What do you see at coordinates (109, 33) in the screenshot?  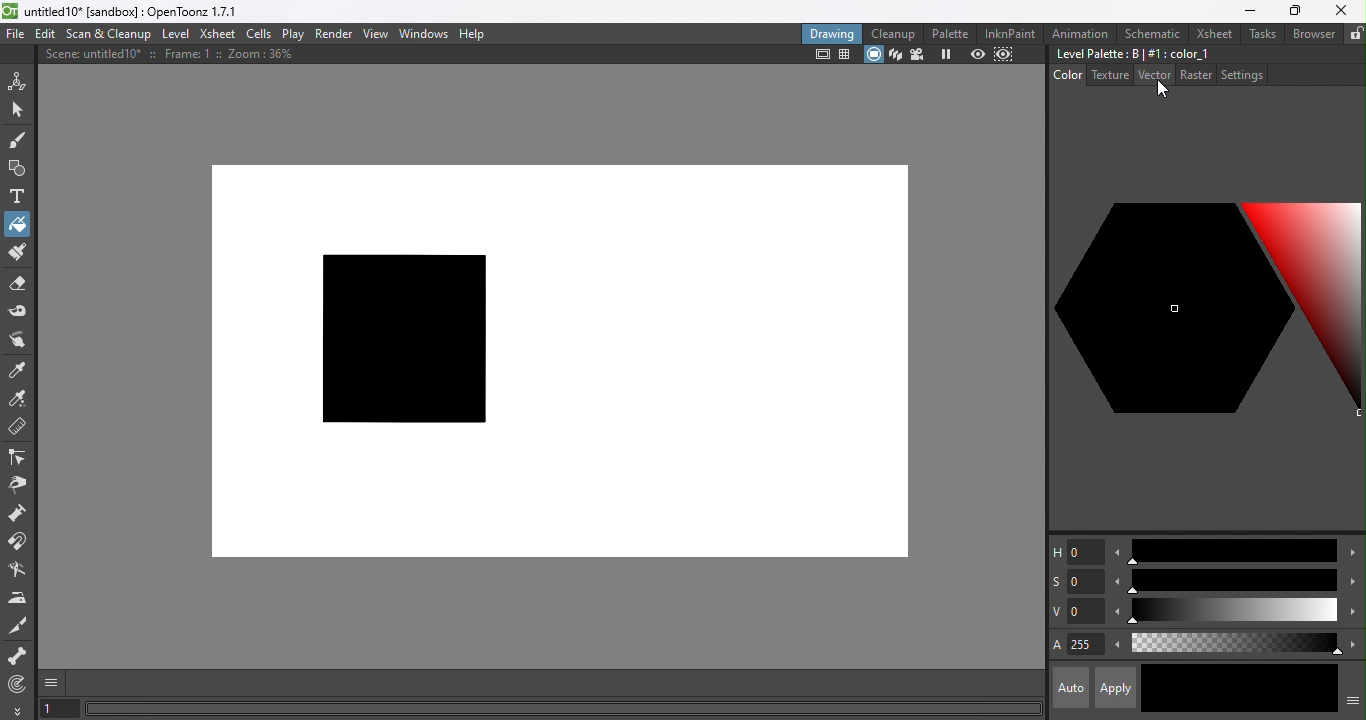 I see `Scan & Cleanup` at bounding box center [109, 33].